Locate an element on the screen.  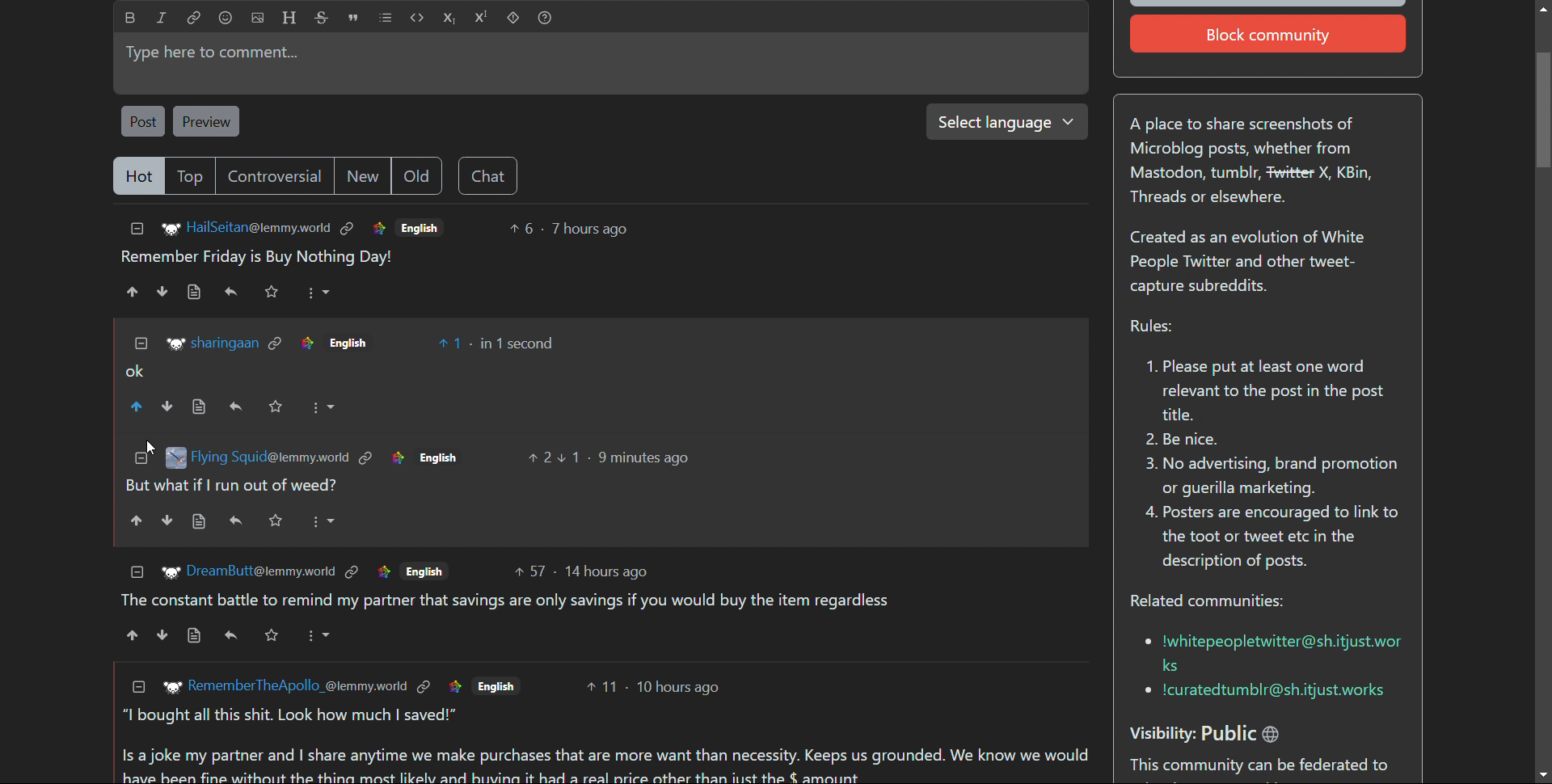
comment is located at coordinates (234, 487).